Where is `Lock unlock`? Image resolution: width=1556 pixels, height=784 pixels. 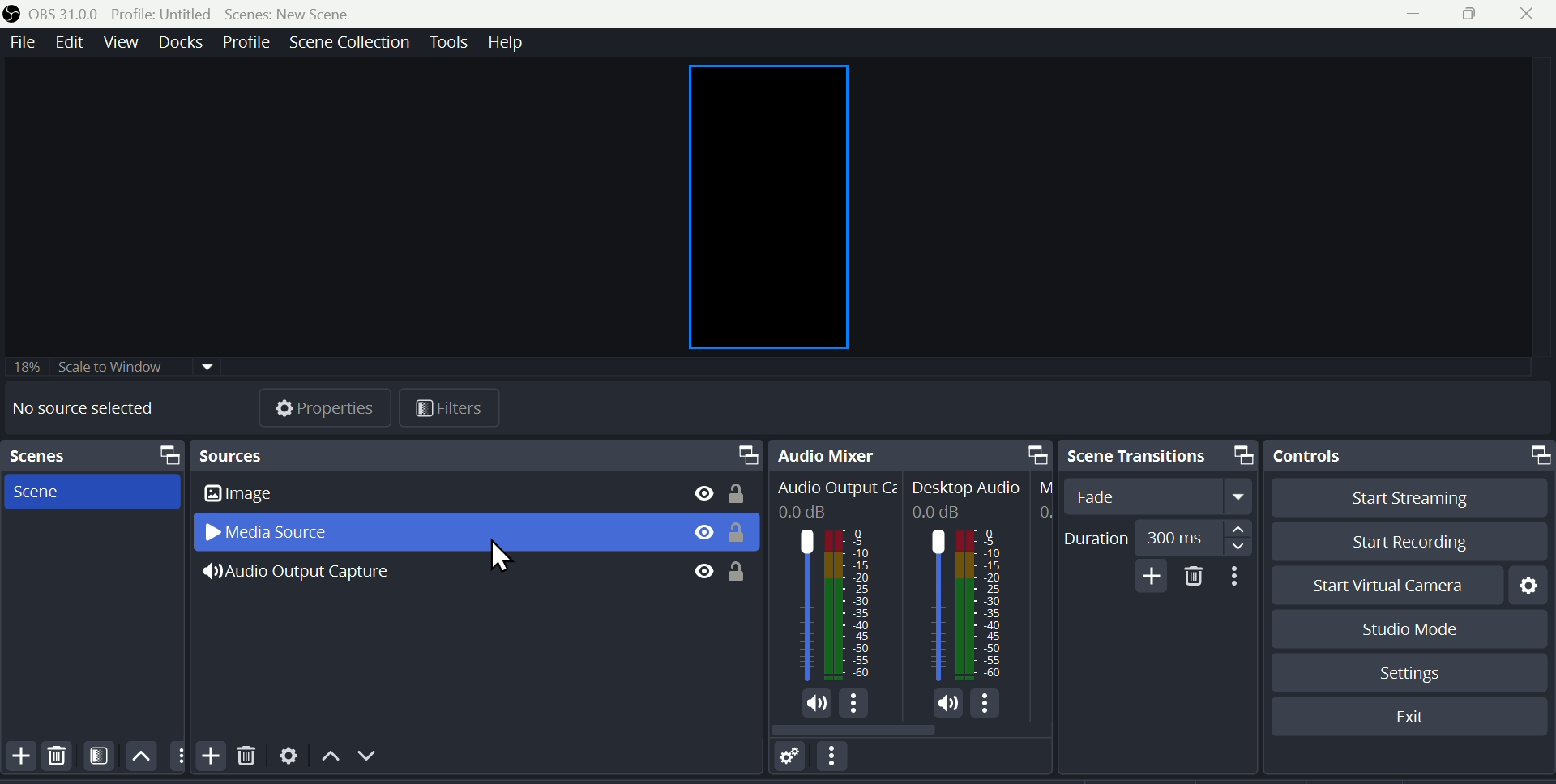
Lock unlock is located at coordinates (742, 491).